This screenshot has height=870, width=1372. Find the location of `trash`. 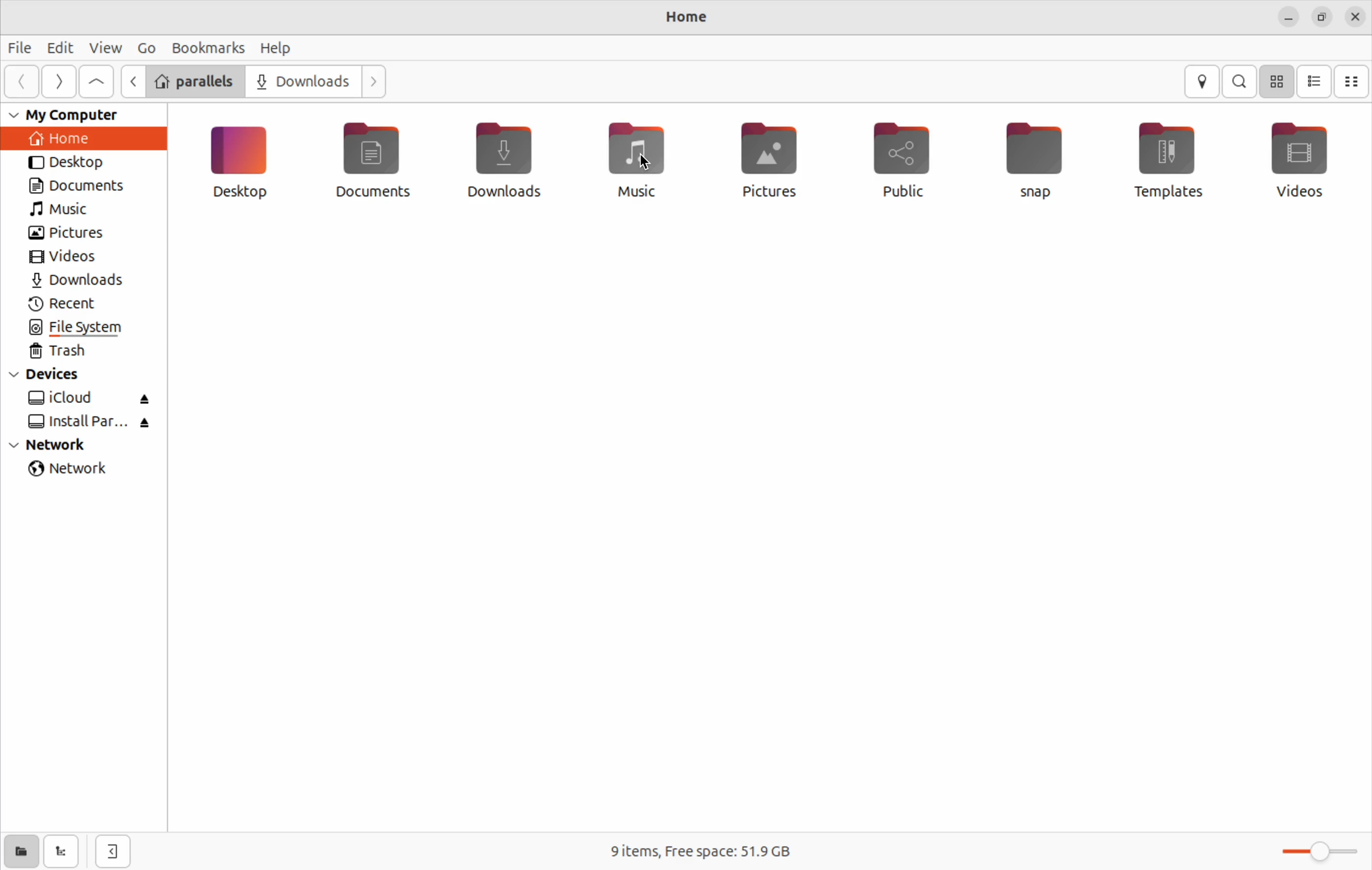

trash is located at coordinates (69, 353).